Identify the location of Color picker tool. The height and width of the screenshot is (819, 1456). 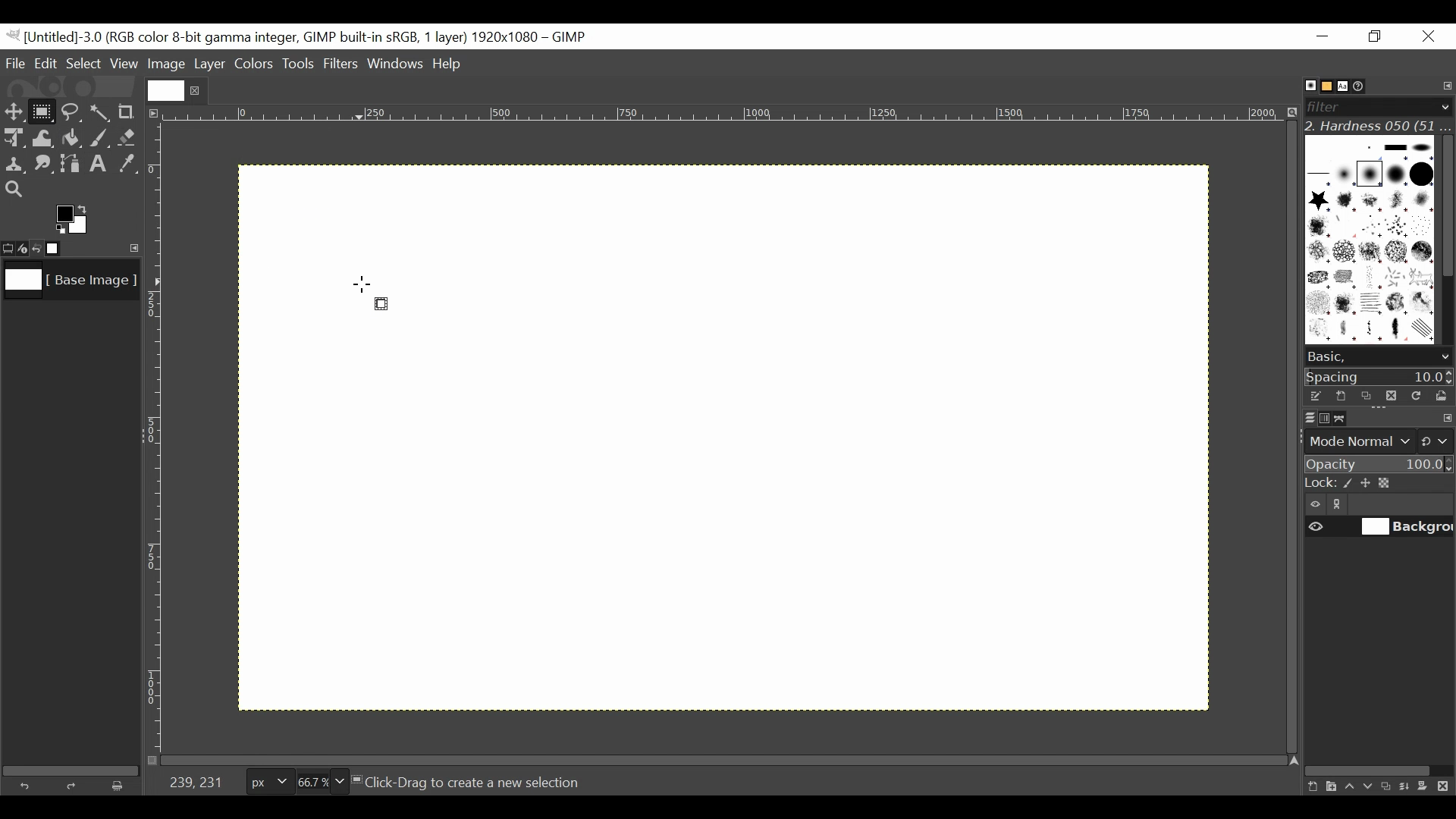
(129, 165).